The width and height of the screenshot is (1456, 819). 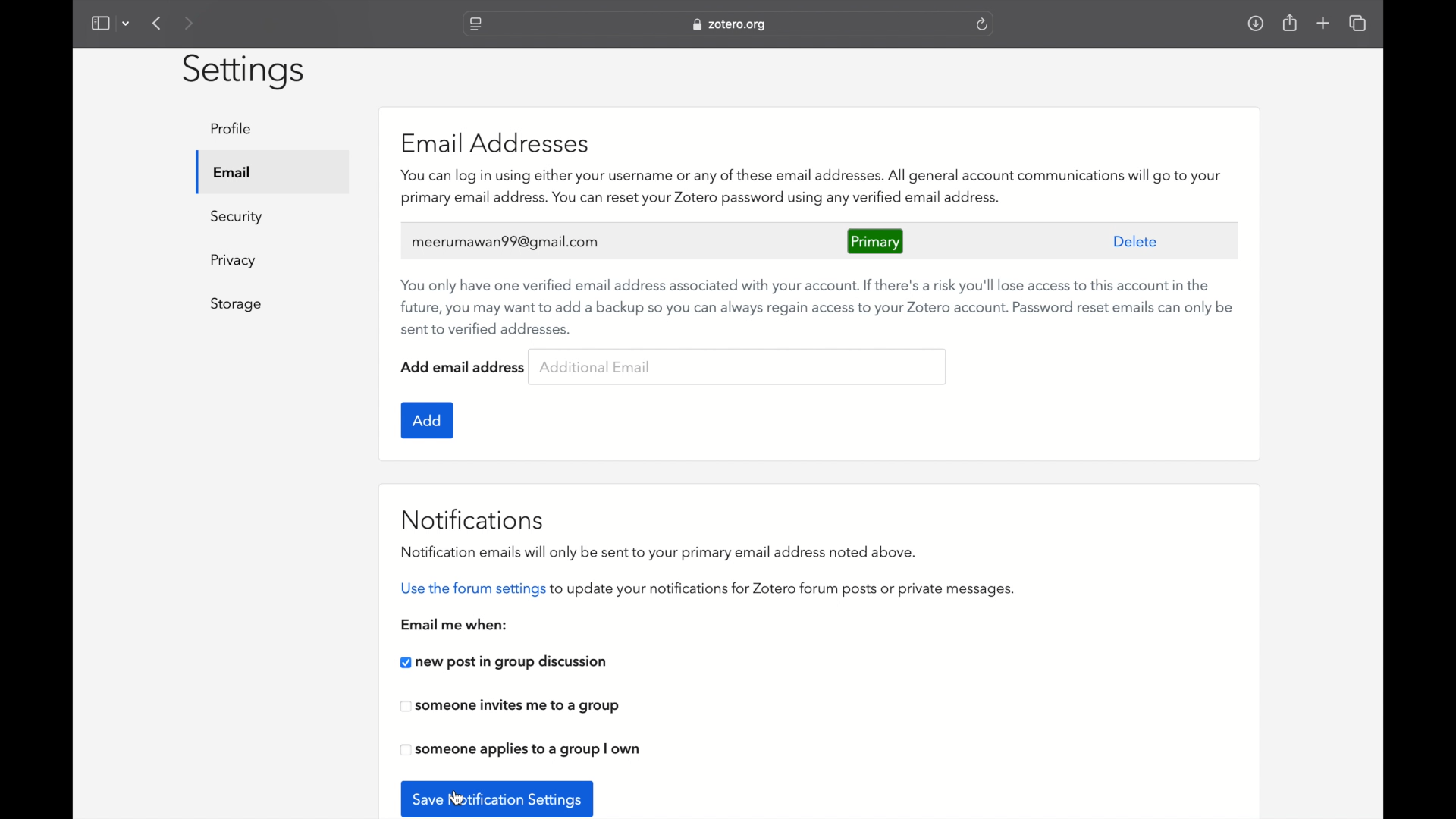 What do you see at coordinates (244, 71) in the screenshot?
I see `settings` at bounding box center [244, 71].